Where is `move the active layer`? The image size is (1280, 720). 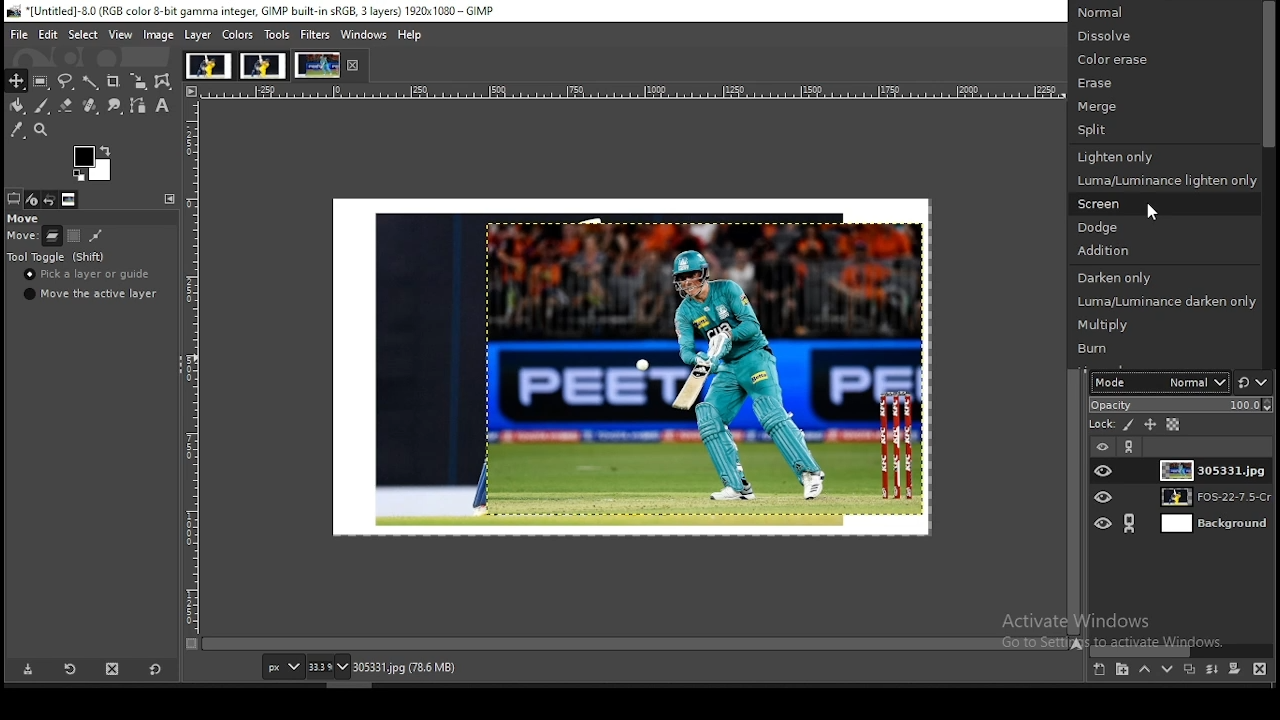
move the active layer is located at coordinates (91, 294).